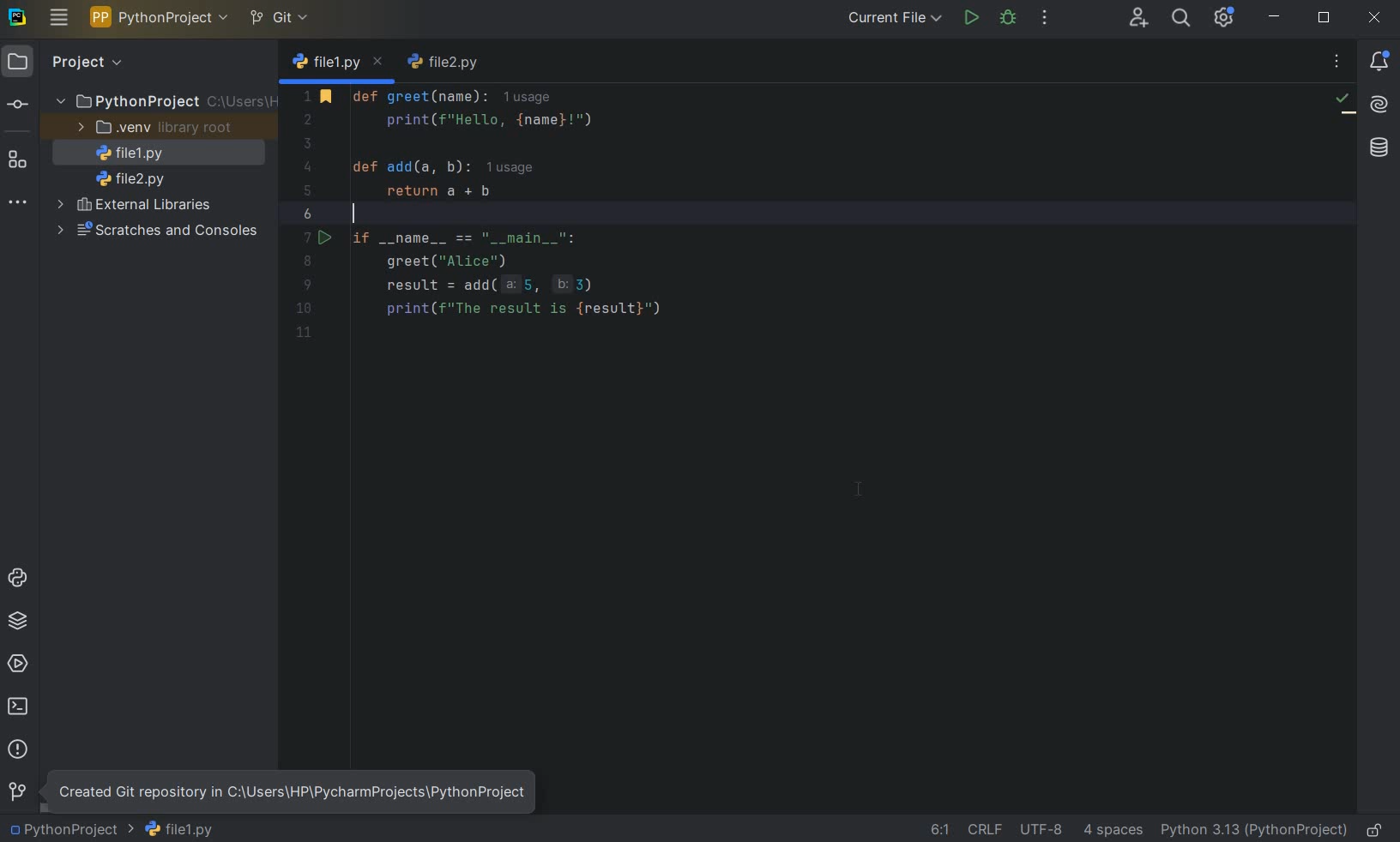 Image resolution: width=1400 pixels, height=842 pixels. Describe the element at coordinates (106, 63) in the screenshot. I see `Project` at that location.